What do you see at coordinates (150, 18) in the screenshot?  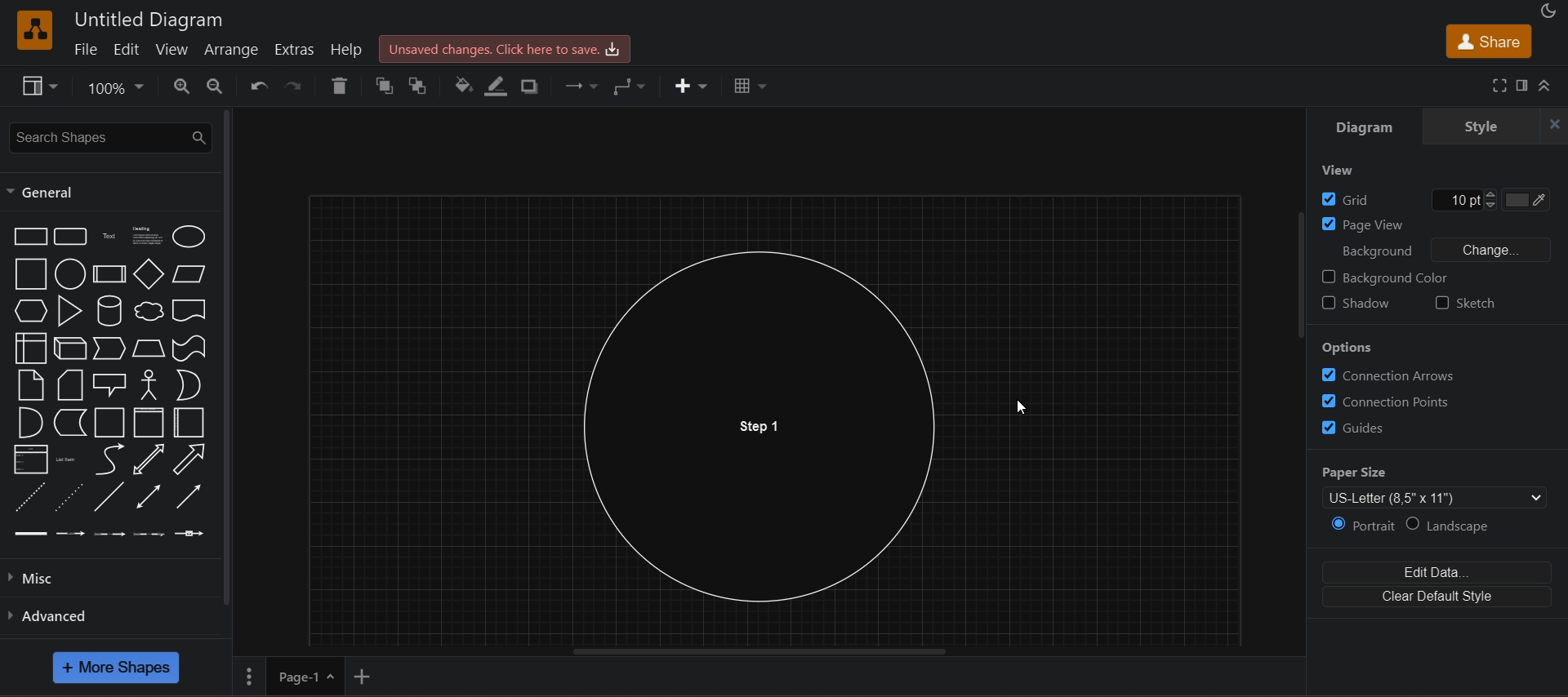 I see `Untitled Diagram` at bounding box center [150, 18].